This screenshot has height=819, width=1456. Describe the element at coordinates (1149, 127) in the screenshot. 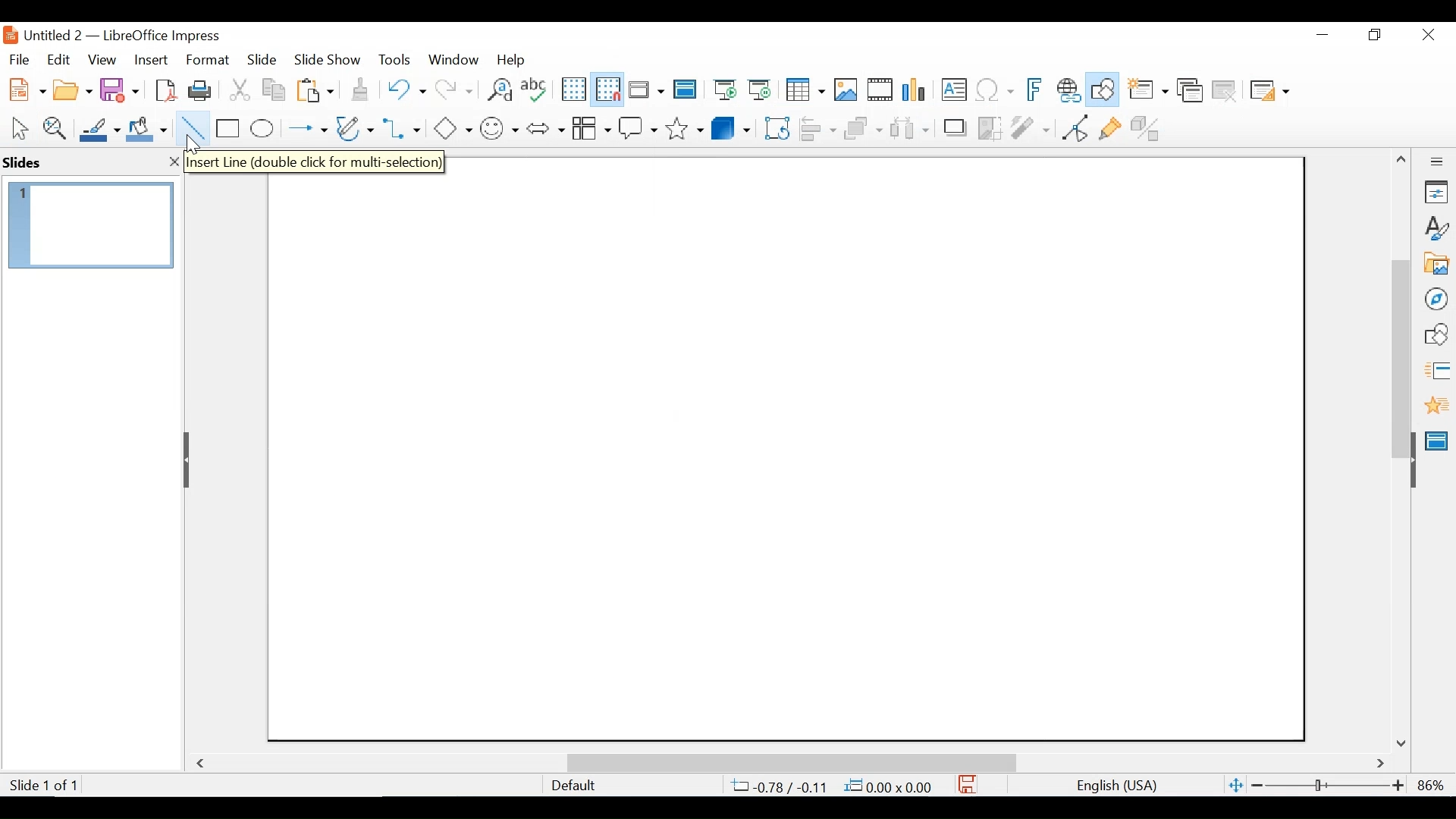

I see `Toggle Extrusion` at that location.